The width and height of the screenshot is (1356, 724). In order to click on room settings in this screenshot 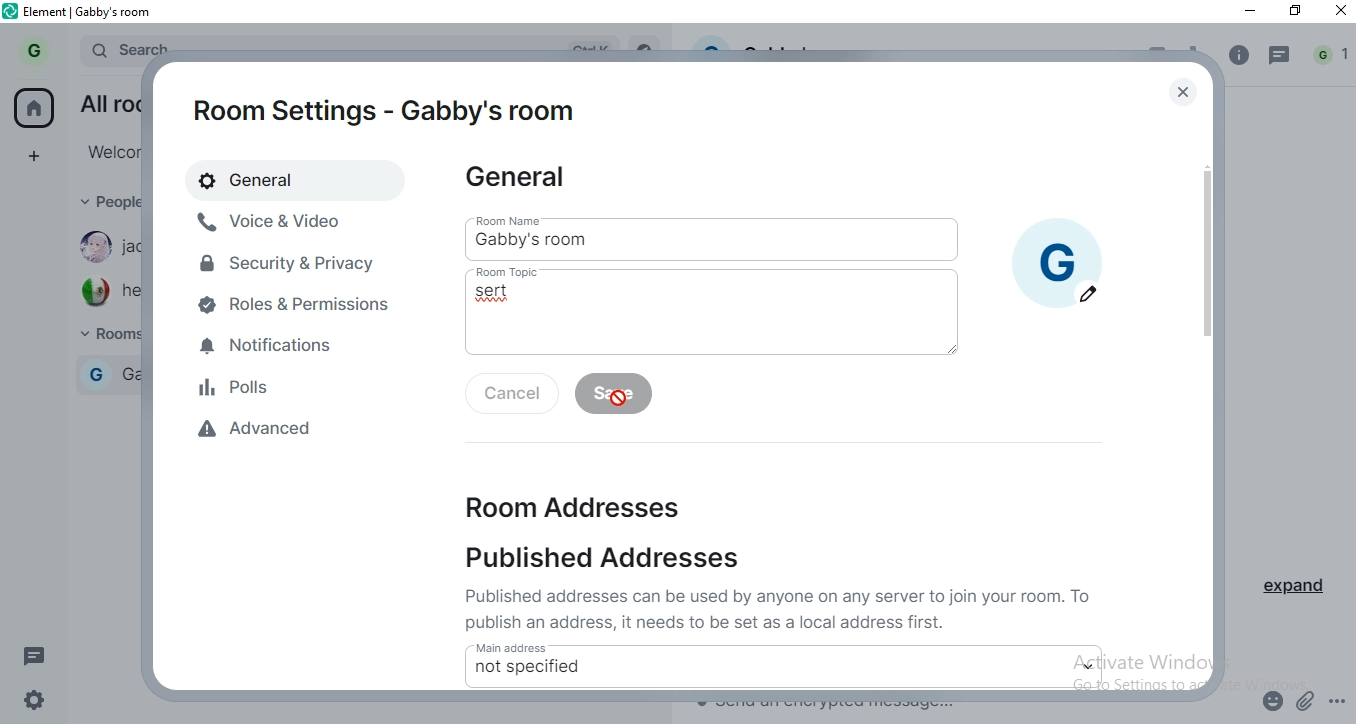, I will do `click(386, 109)`.